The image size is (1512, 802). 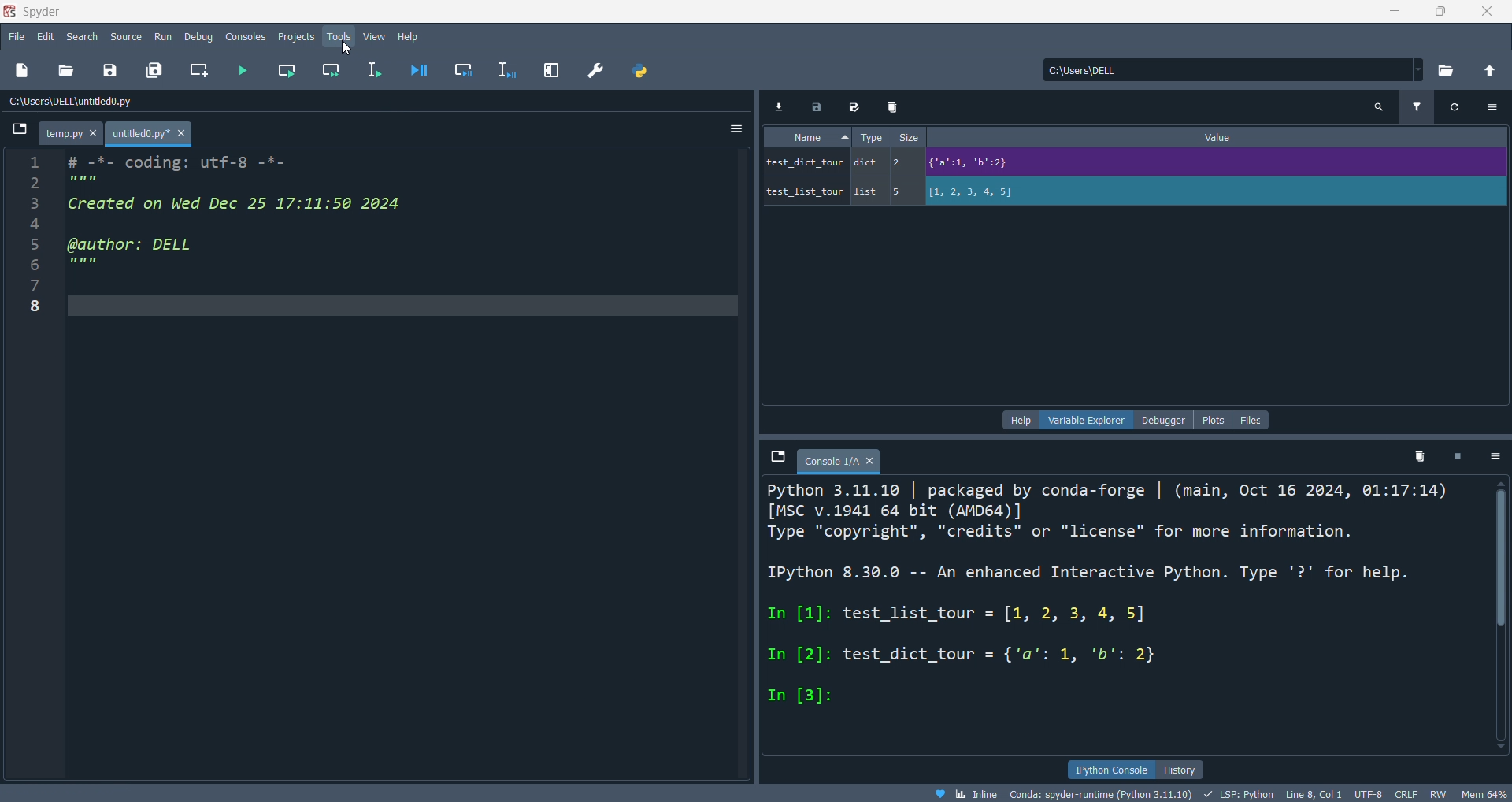 I want to click on untitled0.py, so click(x=154, y=133).